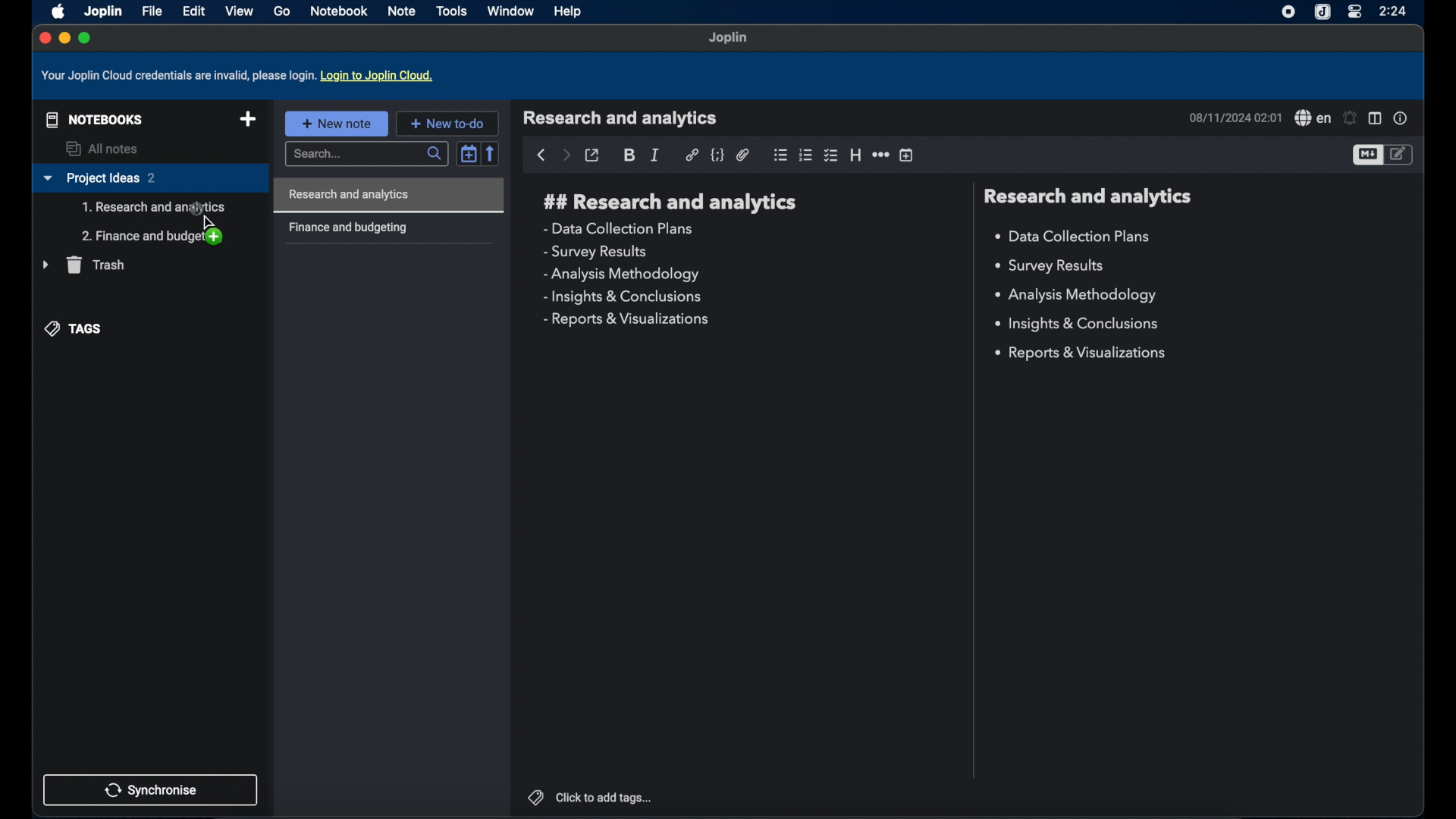 The image size is (1456, 819). Describe the element at coordinates (492, 153) in the screenshot. I see `reverse sort order` at that location.